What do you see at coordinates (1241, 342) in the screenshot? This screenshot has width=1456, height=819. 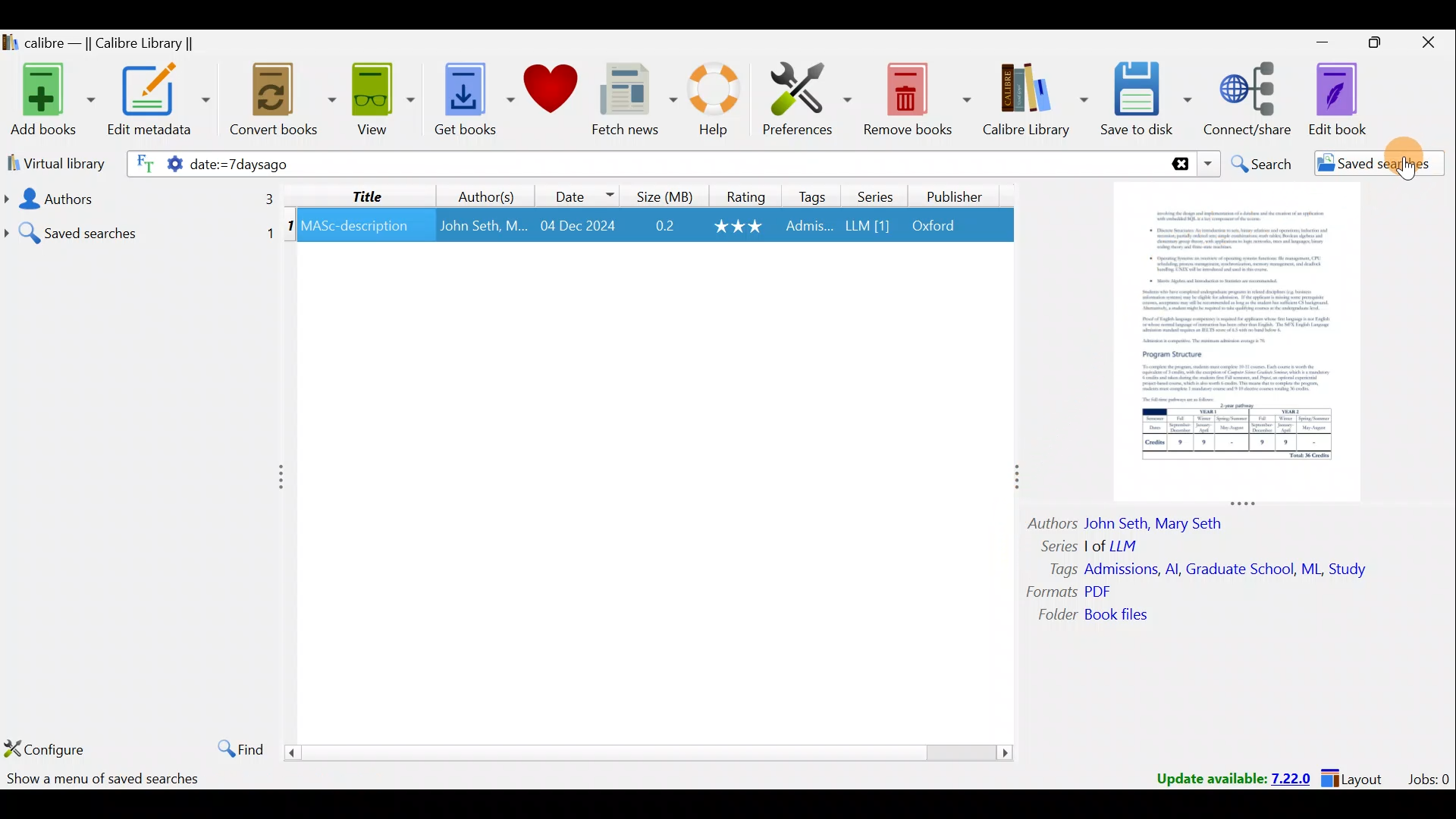 I see `Book preview` at bounding box center [1241, 342].